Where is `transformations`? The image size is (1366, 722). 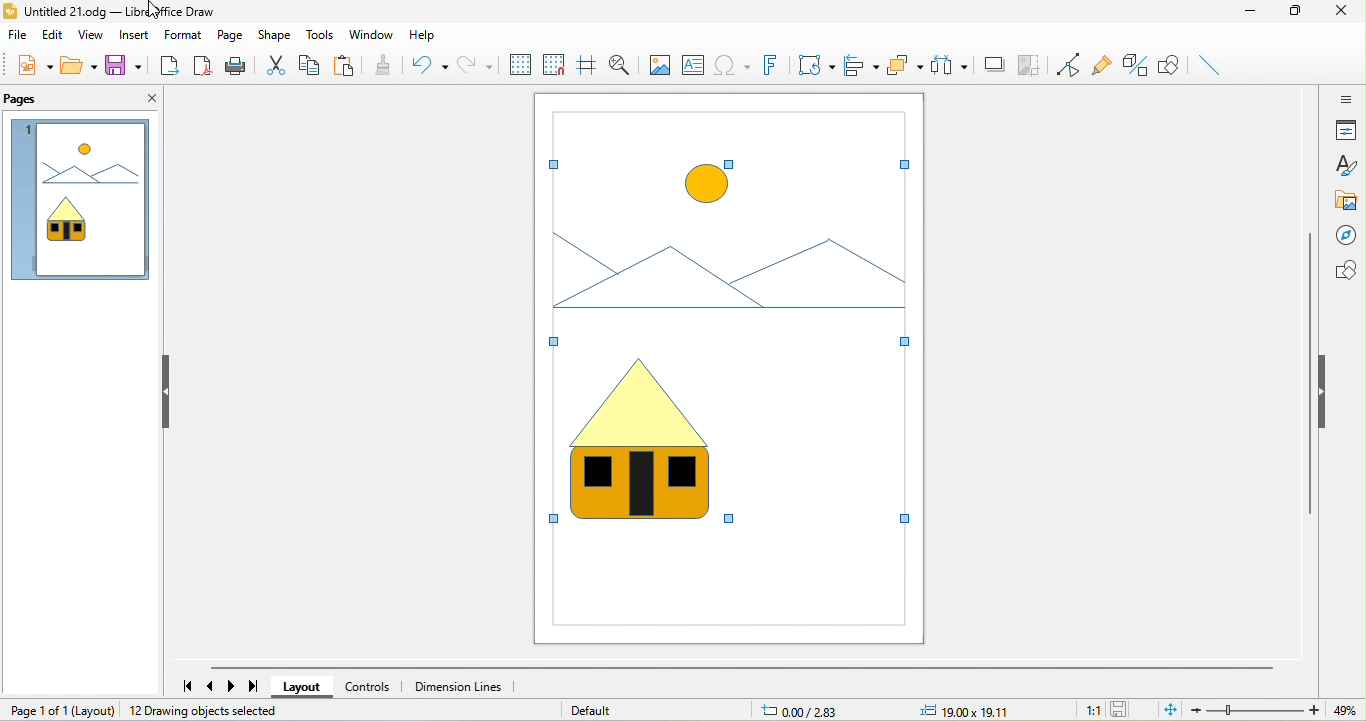 transformations is located at coordinates (818, 66).